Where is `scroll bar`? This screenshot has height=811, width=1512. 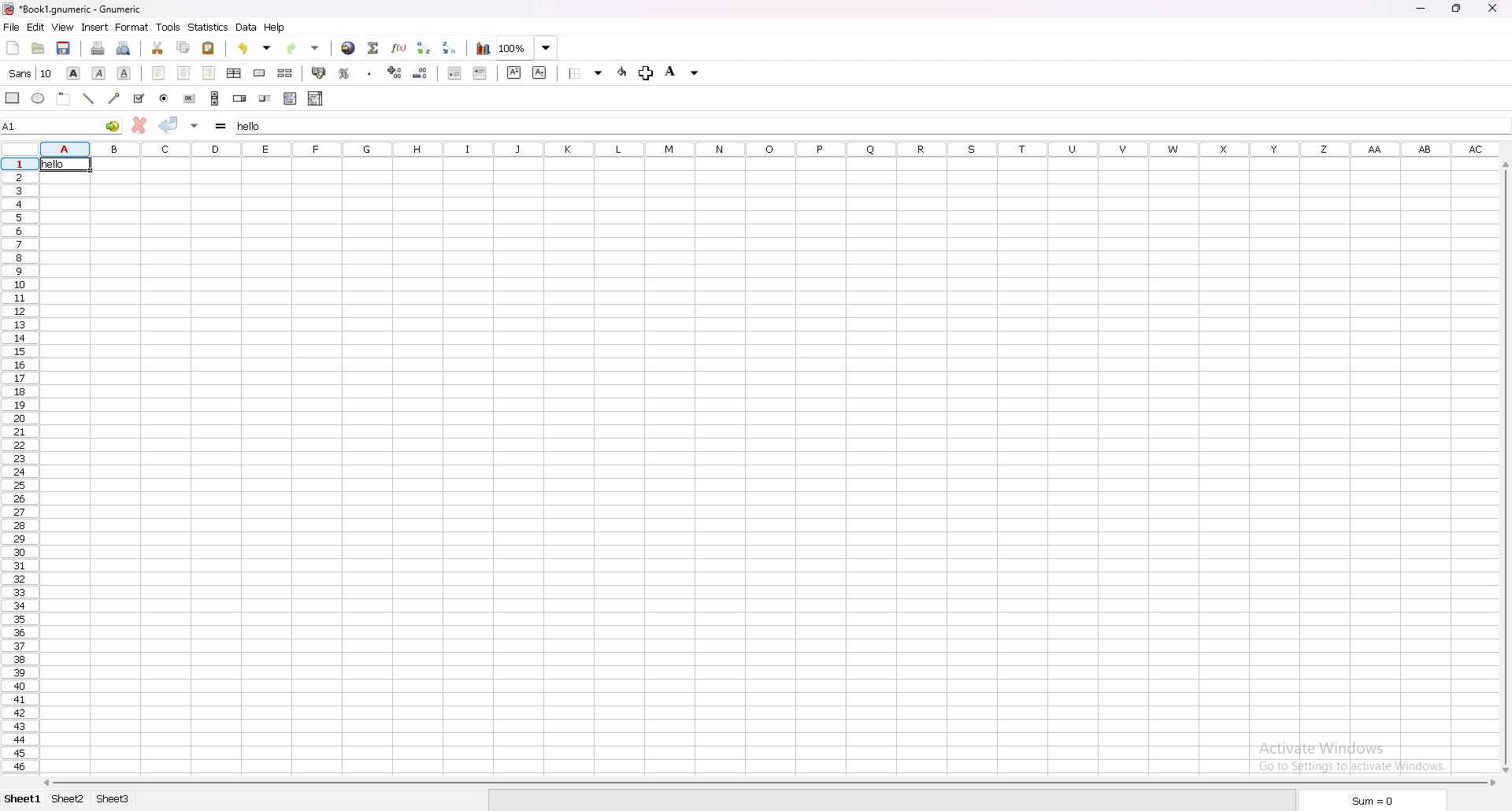
scroll bar is located at coordinates (1506, 468).